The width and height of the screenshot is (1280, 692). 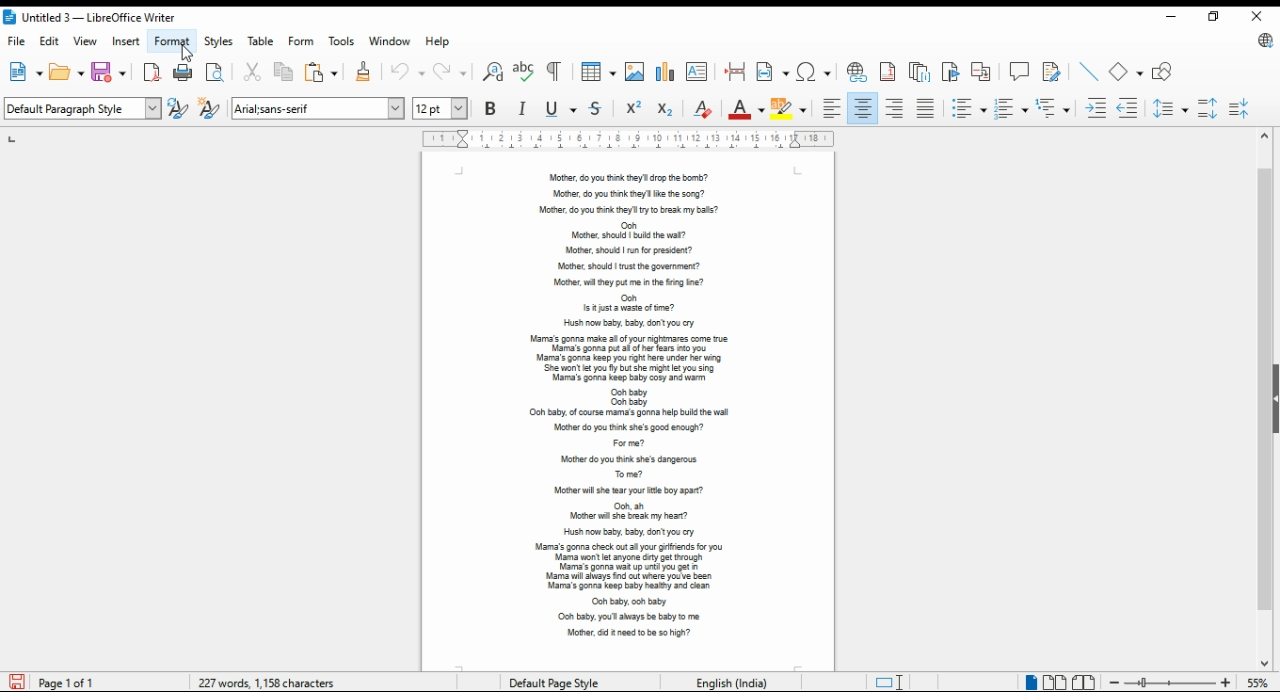 I want to click on toggle formatting marks, so click(x=556, y=72).